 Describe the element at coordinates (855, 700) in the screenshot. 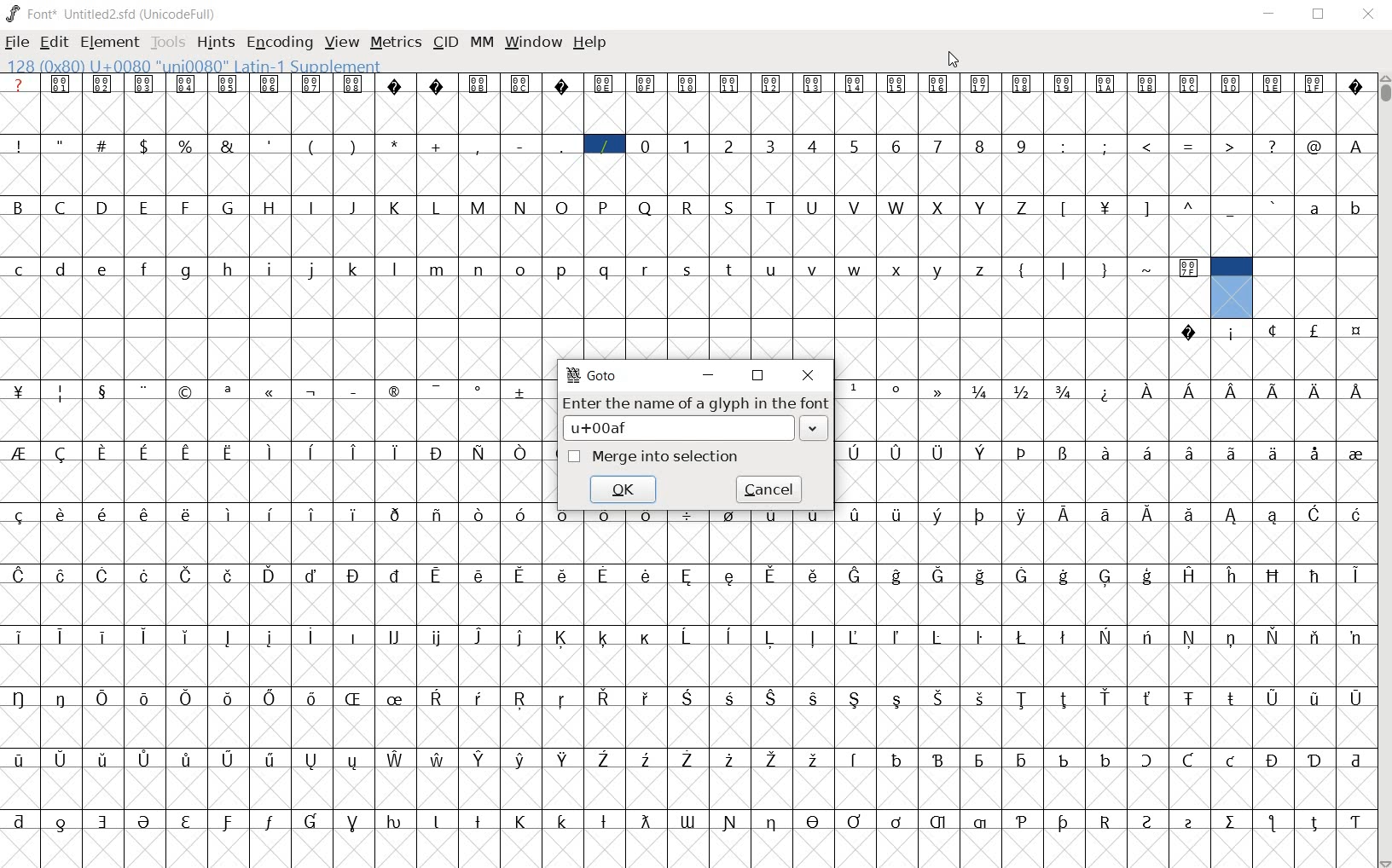

I see `Symbol` at that location.